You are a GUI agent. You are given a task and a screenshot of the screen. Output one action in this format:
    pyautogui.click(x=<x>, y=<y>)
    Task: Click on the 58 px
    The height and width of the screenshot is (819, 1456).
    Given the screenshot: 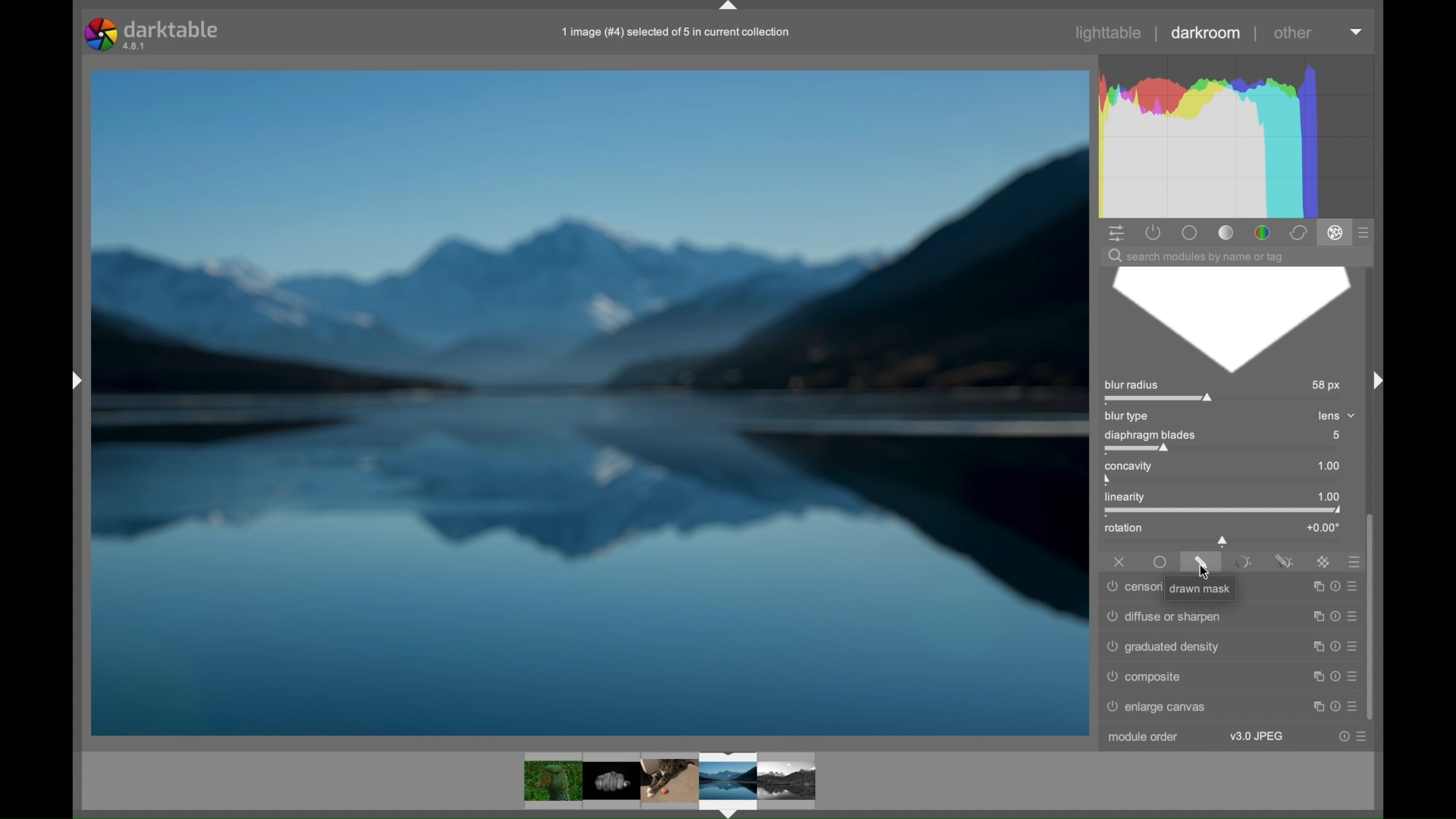 What is the action you would take?
    pyautogui.click(x=1327, y=386)
    